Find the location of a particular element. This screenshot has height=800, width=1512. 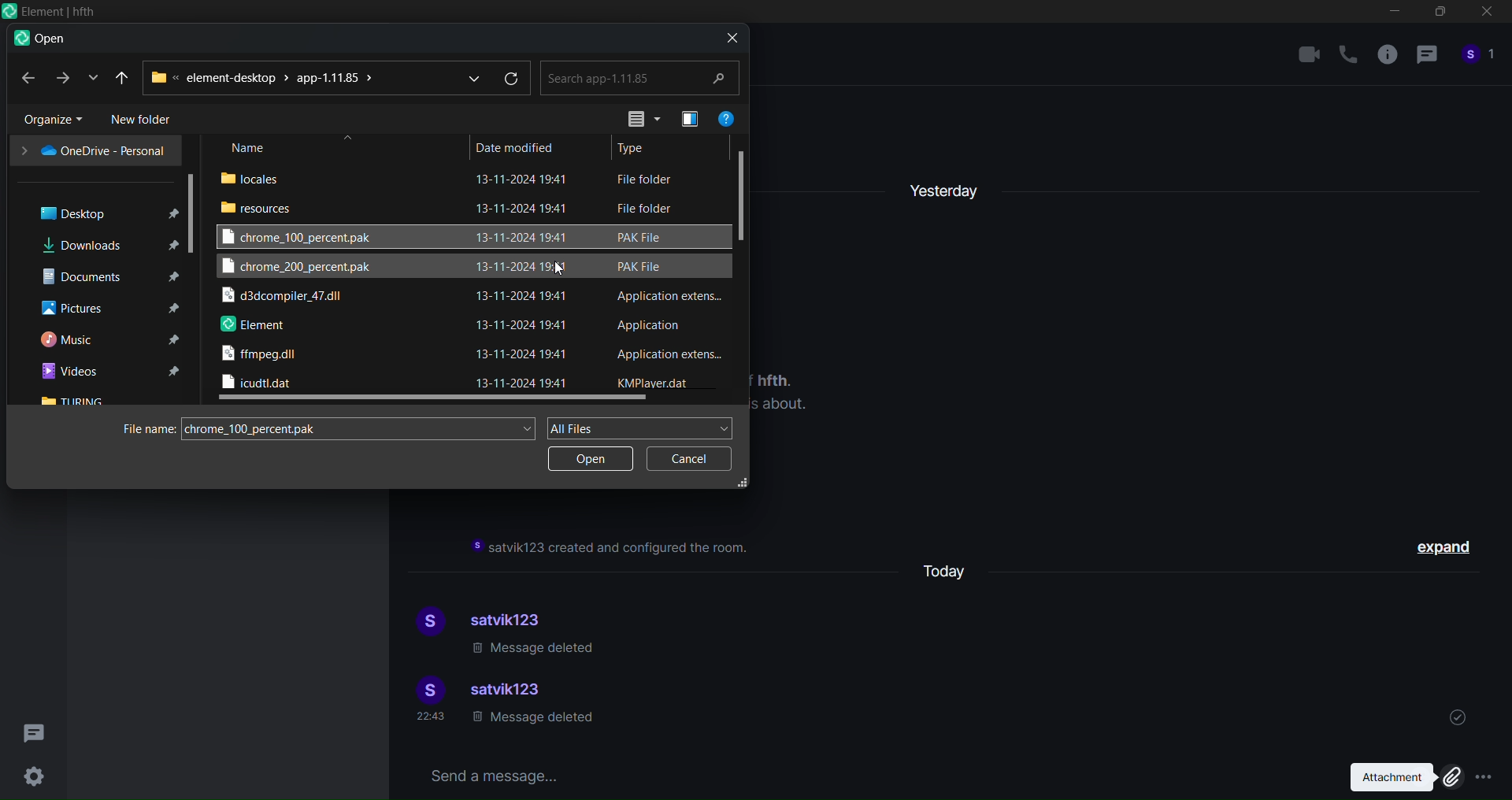

open is located at coordinates (589, 461).